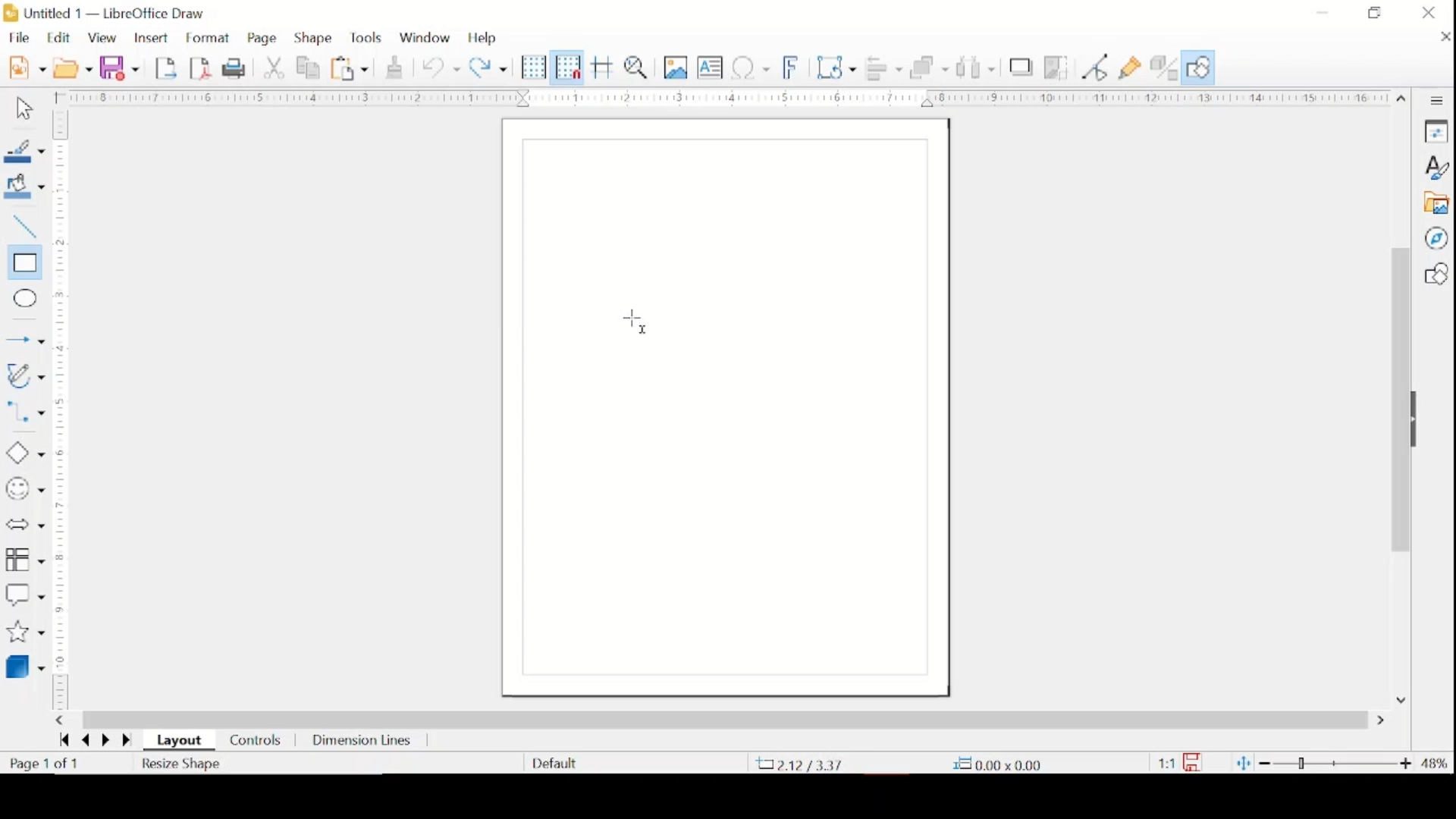 The height and width of the screenshot is (819, 1456). What do you see at coordinates (119, 67) in the screenshot?
I see `save` at bounding box center [119, 67].